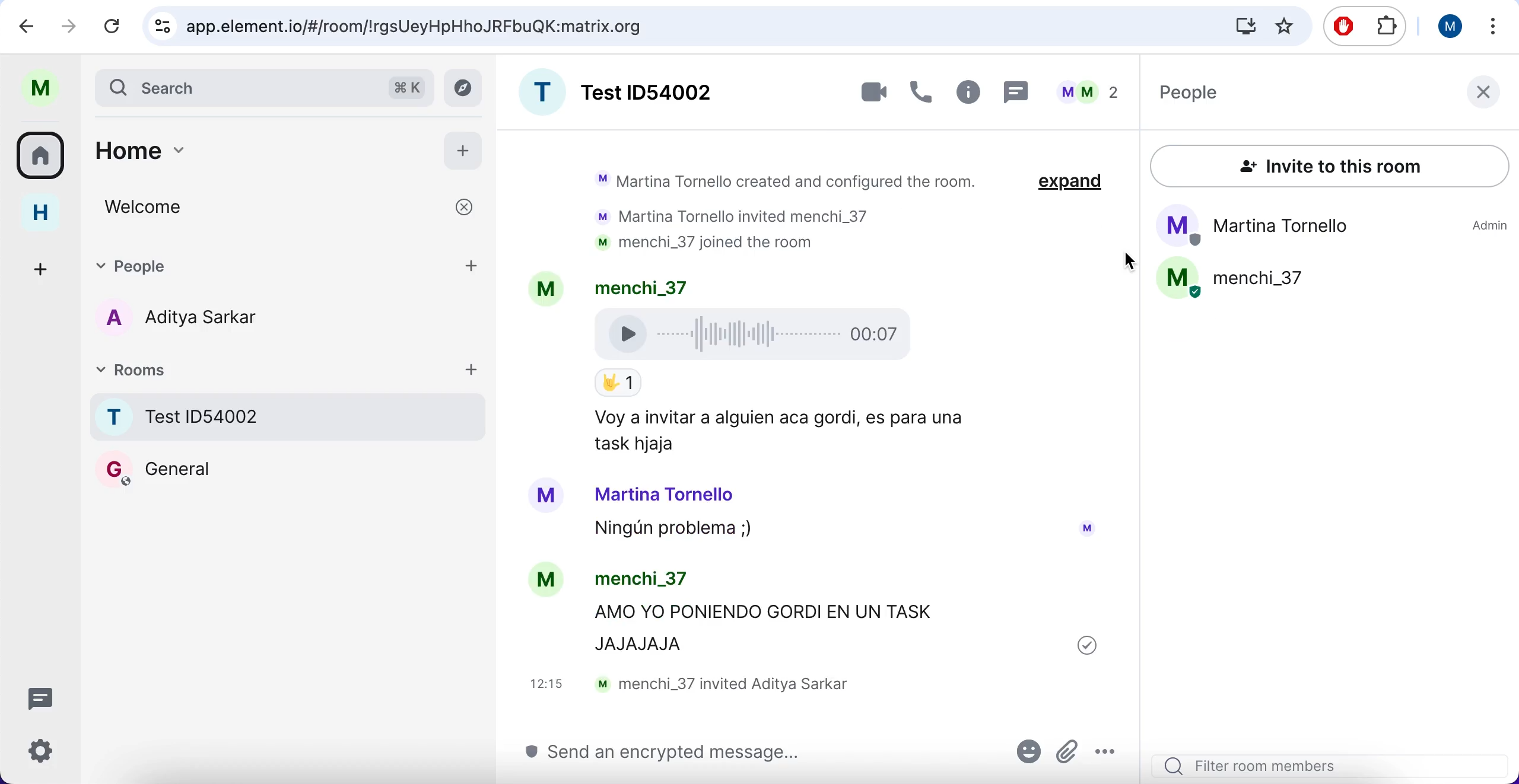  I want to click on Avatar, so click(546, 499).